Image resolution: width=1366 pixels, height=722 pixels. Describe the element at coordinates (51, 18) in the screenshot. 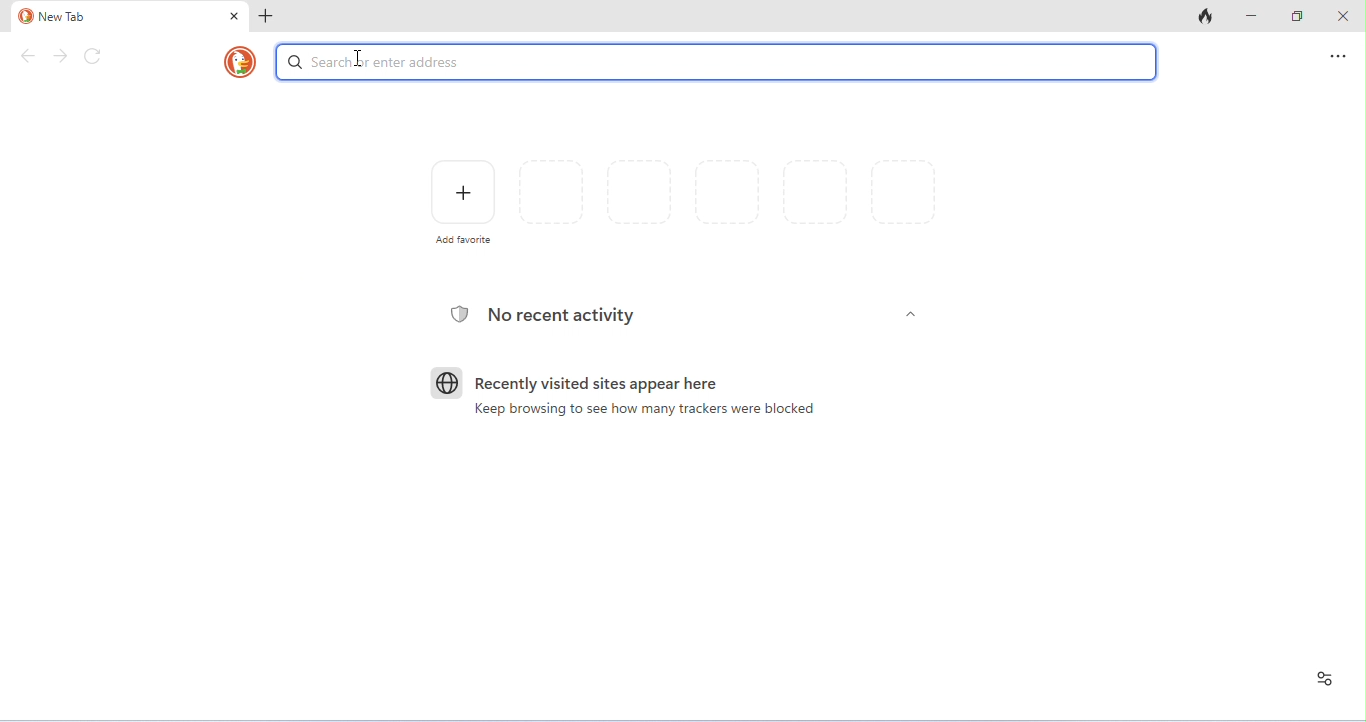

I see `new tab` at that location.